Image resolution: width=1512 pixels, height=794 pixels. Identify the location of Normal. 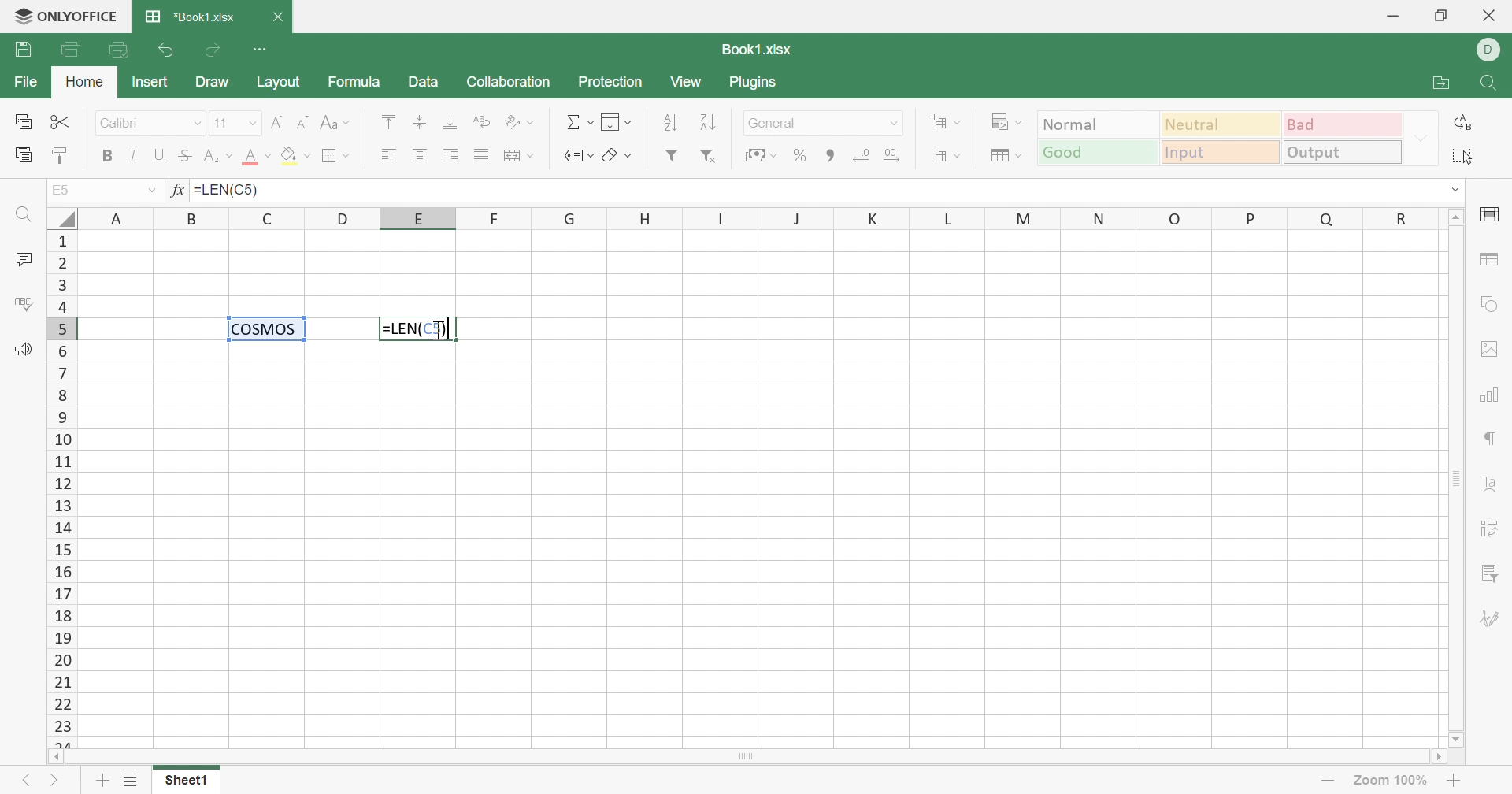
(1099, 123).